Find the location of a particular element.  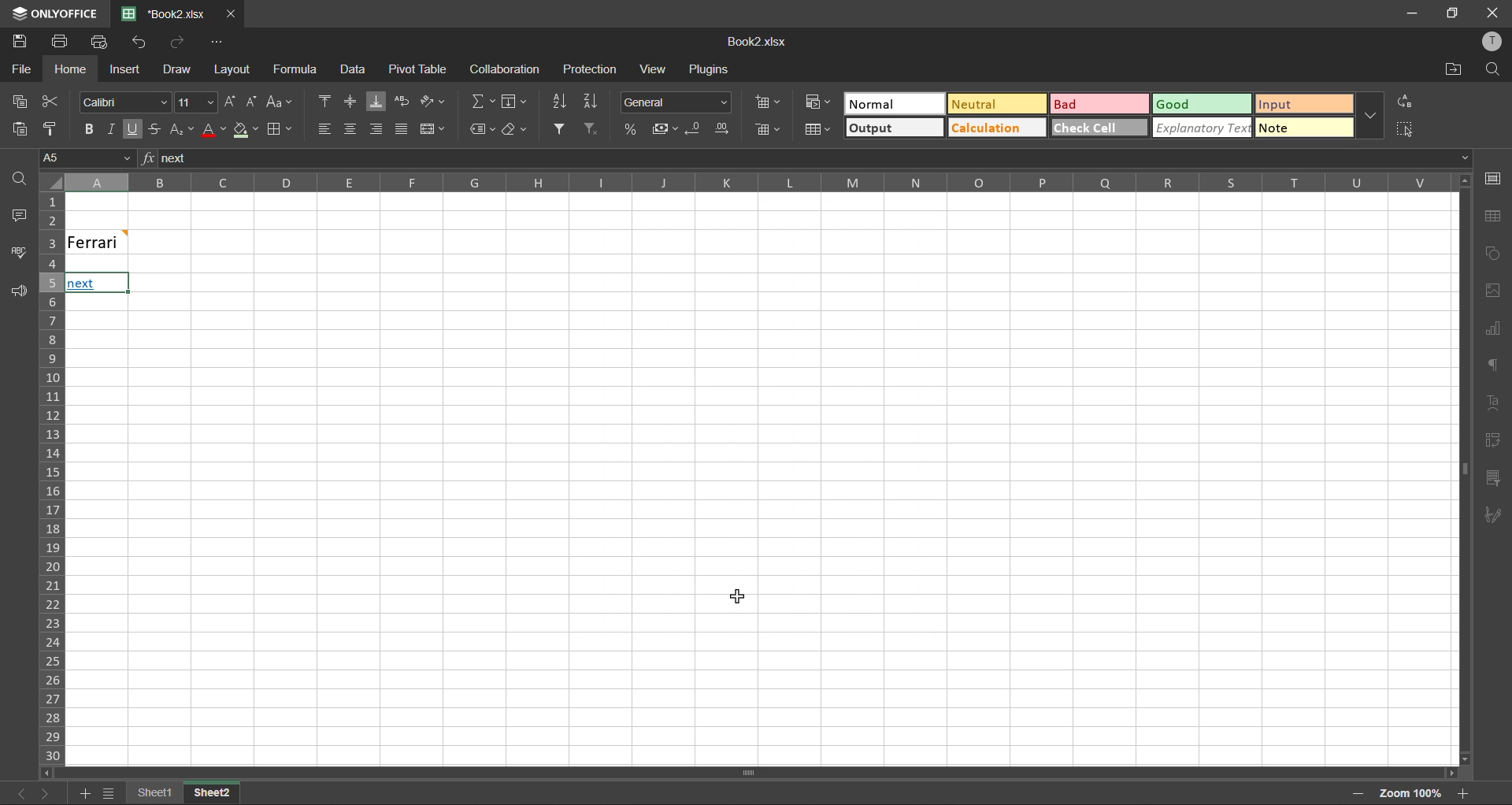

italic is located at coordinates (109, 128).